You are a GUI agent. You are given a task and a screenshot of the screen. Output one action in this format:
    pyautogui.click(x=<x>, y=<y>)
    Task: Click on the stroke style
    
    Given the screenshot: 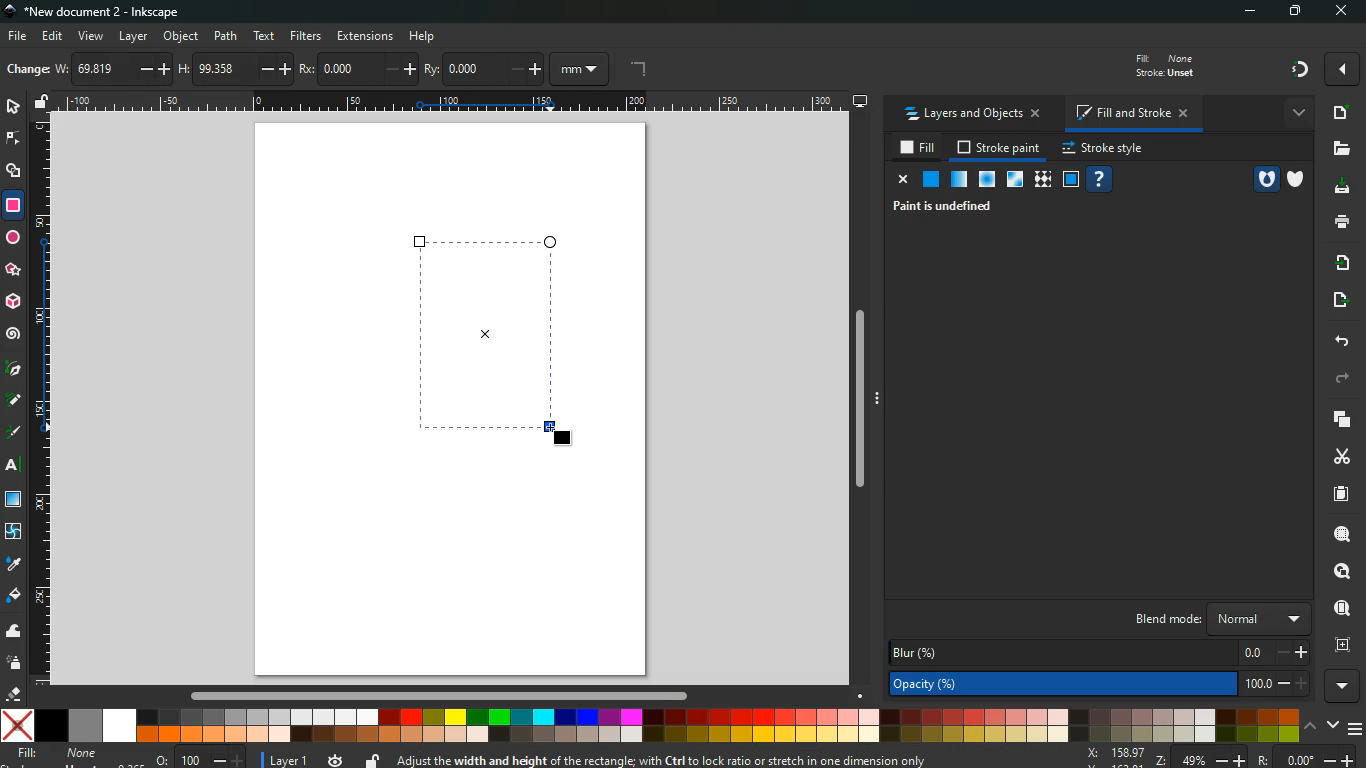 What is the action you would take?
    pyautogui.click(x=1105, y=150)
    